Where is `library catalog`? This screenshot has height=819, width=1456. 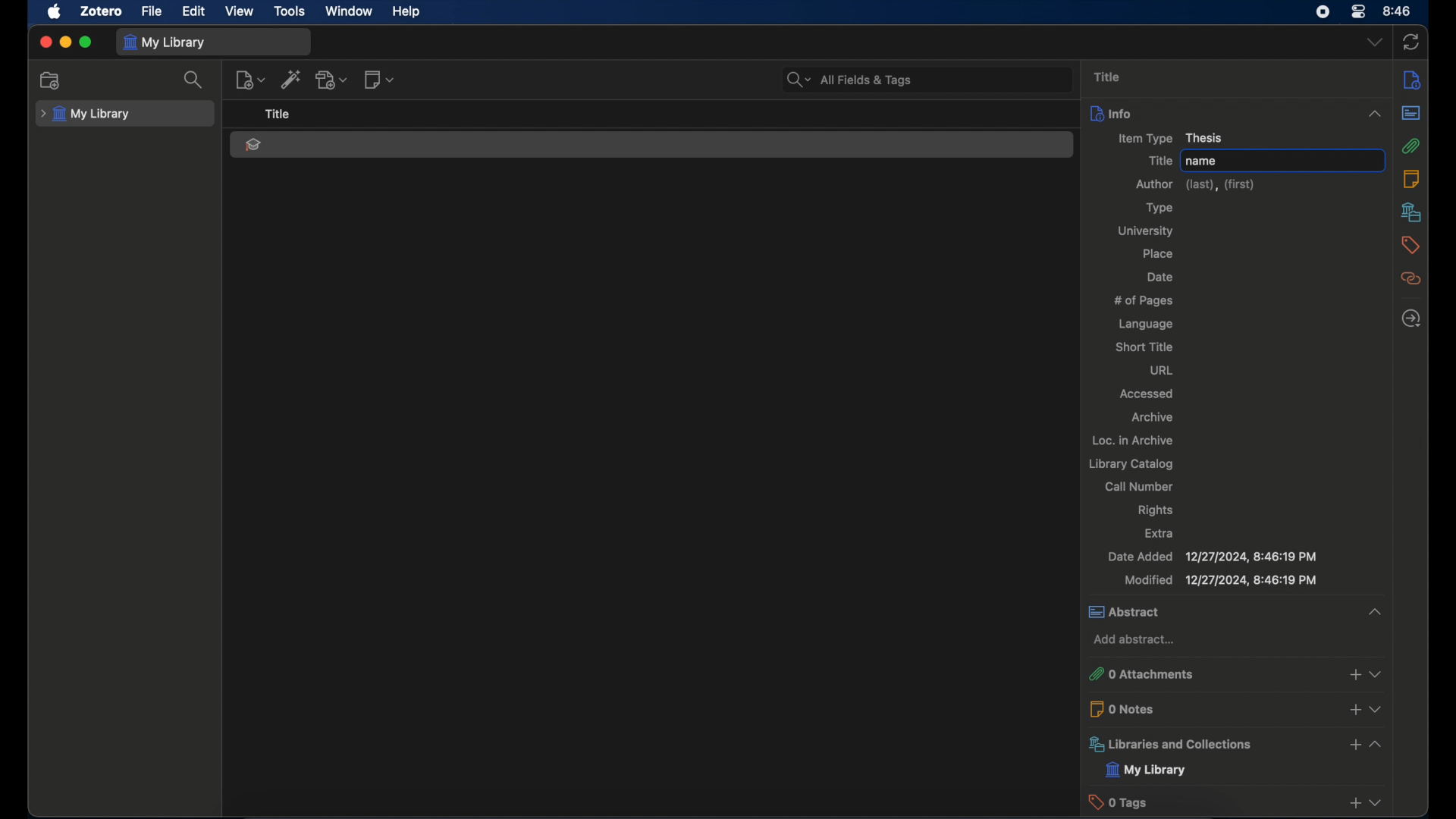 library catalog is located at coordinates (1130, 464).